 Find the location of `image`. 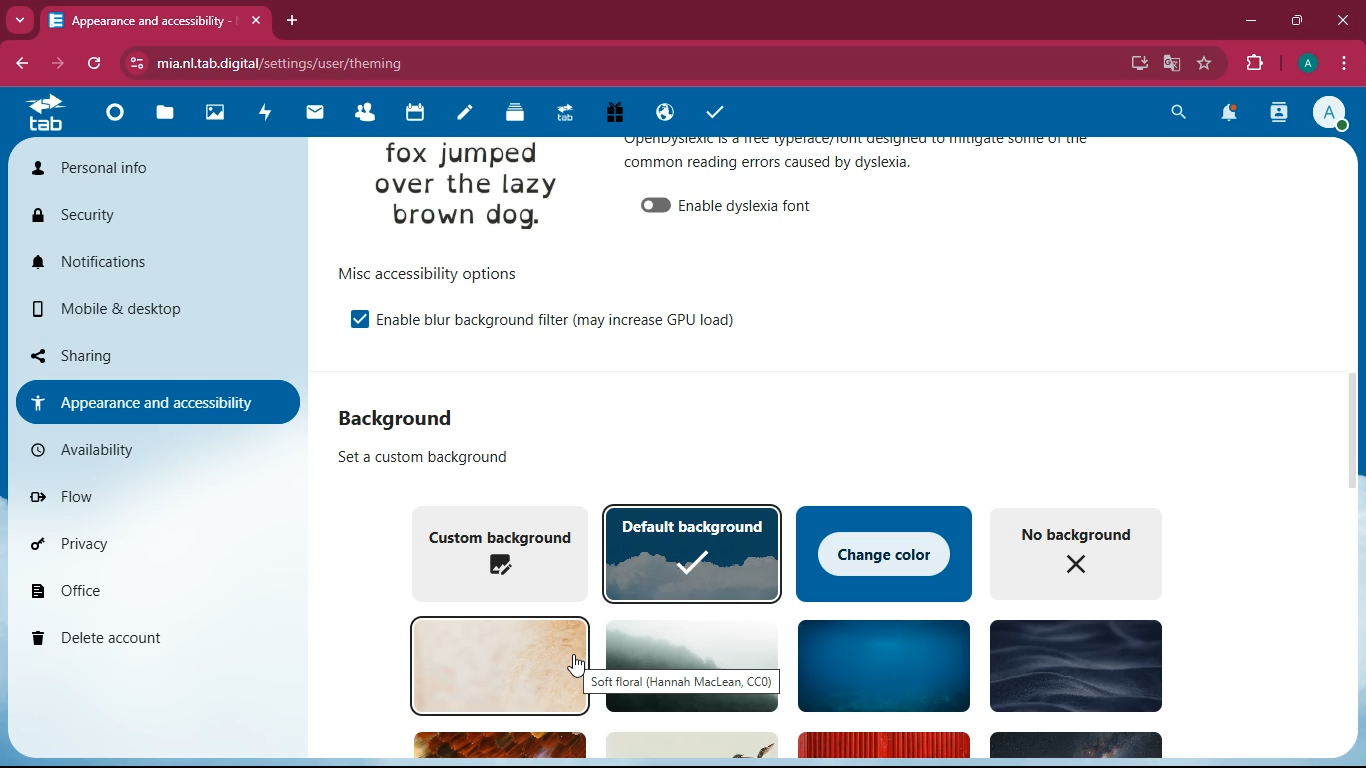

image is located at coordinates (469, 187).